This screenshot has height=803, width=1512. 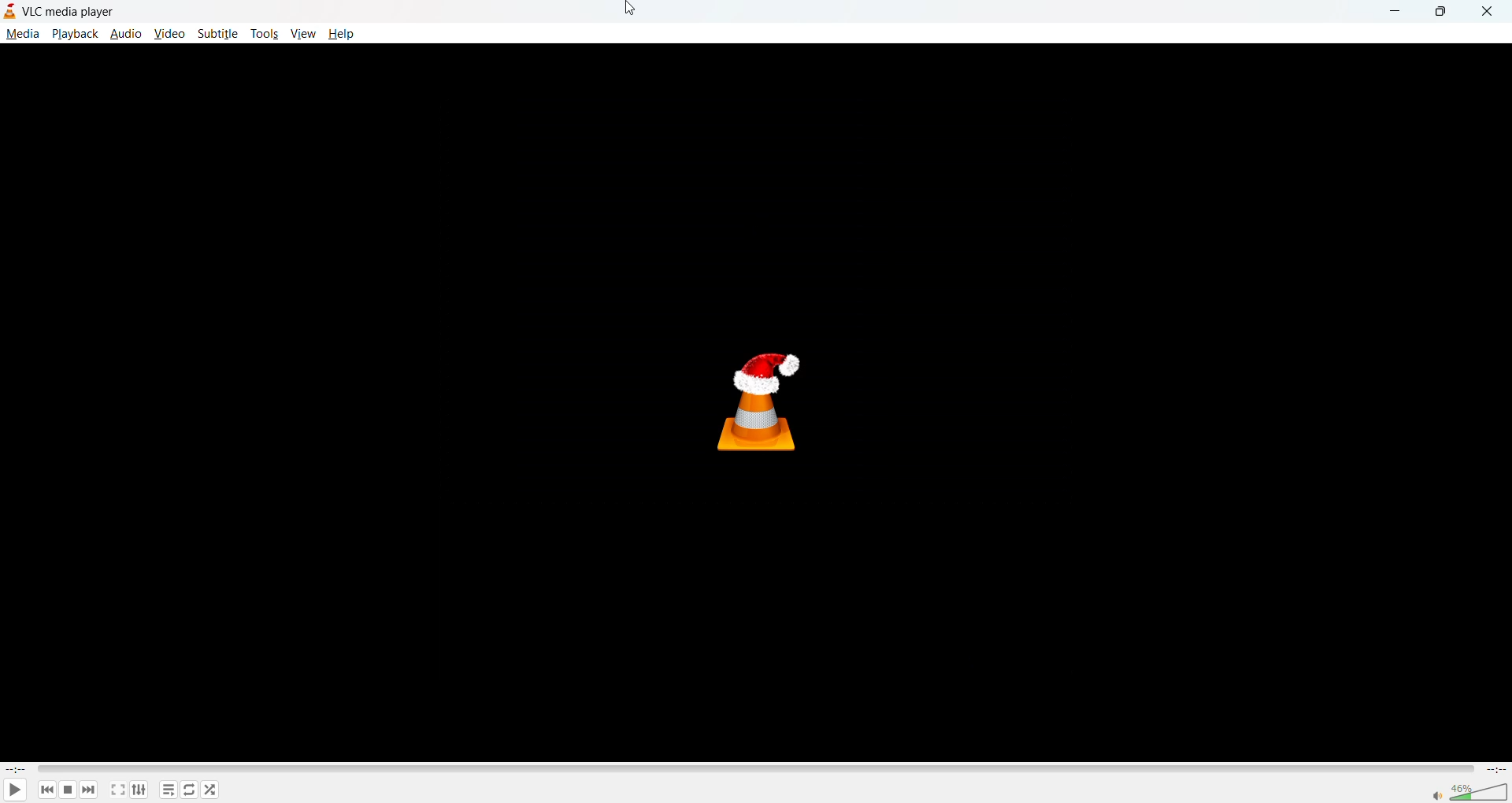 I want to click on settings, so click(x=136, y=791).